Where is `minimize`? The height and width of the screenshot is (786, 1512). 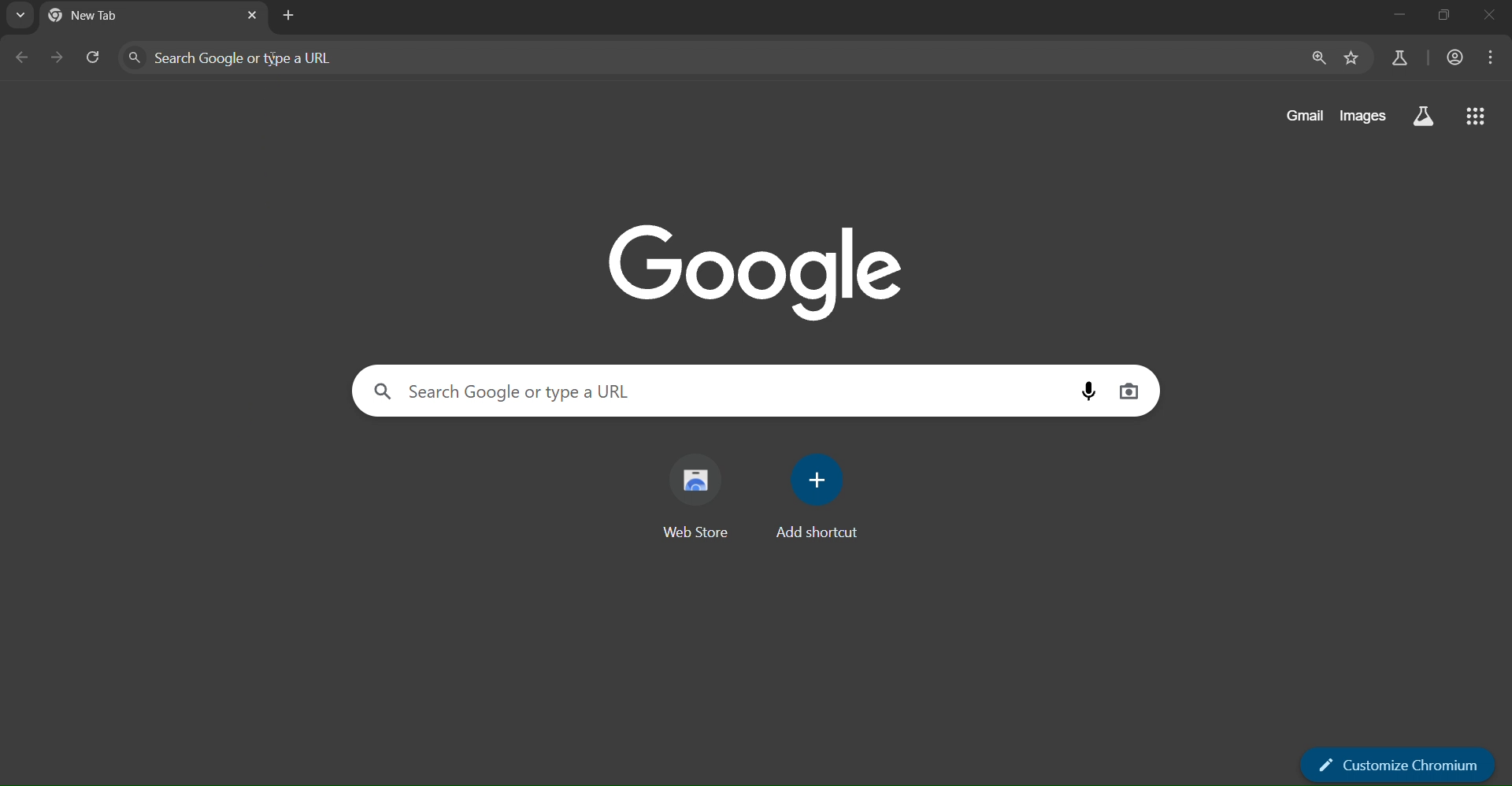 minimize is located at coordinates (1403, 15).